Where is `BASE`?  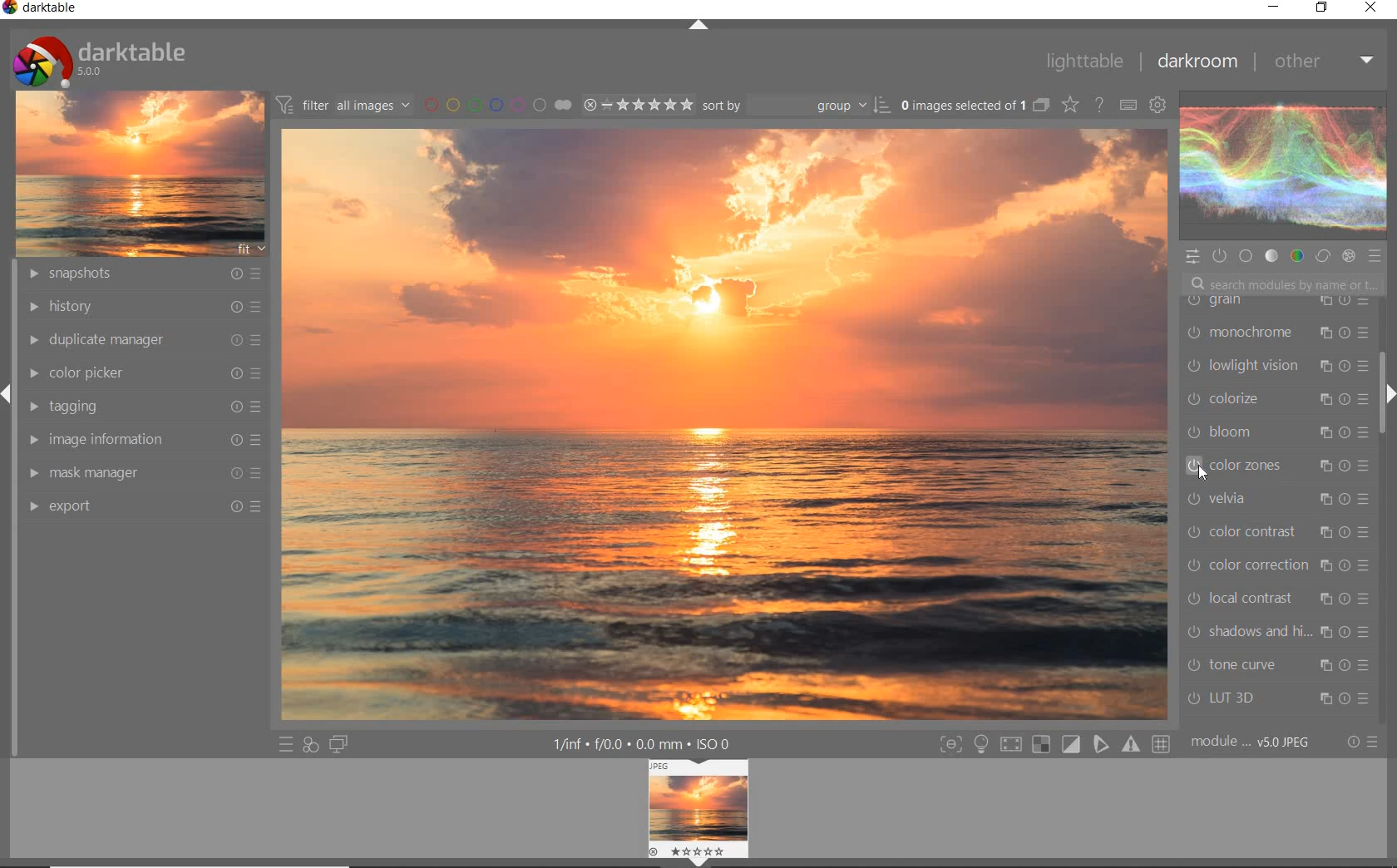 BASE is located at coordinates (1247, 256).